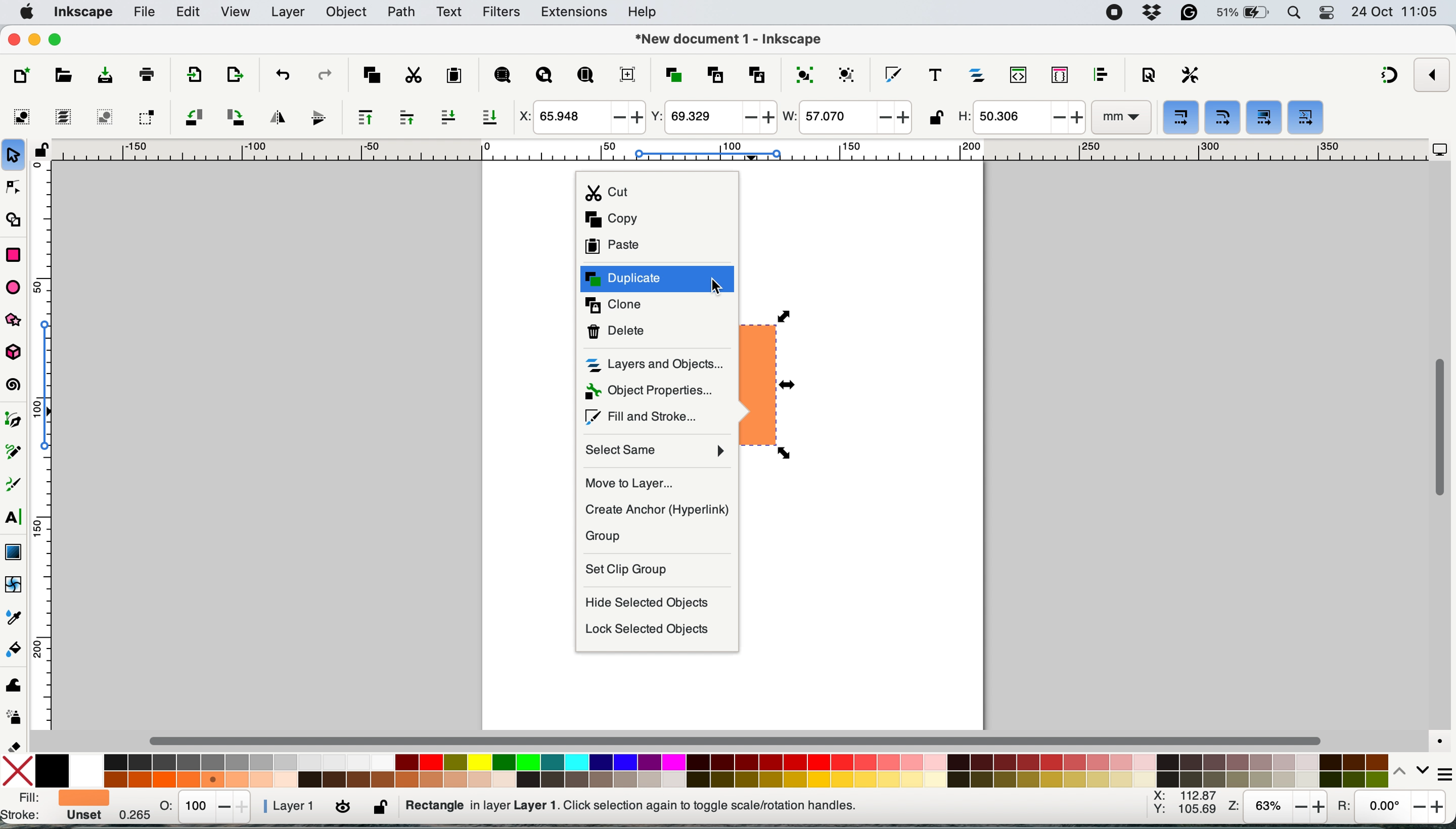 The width and height of the screenshot is (1456, 829). Describe the element at coordinates (1433, 74) in the screenshot. I see `enable snapping` at that location.